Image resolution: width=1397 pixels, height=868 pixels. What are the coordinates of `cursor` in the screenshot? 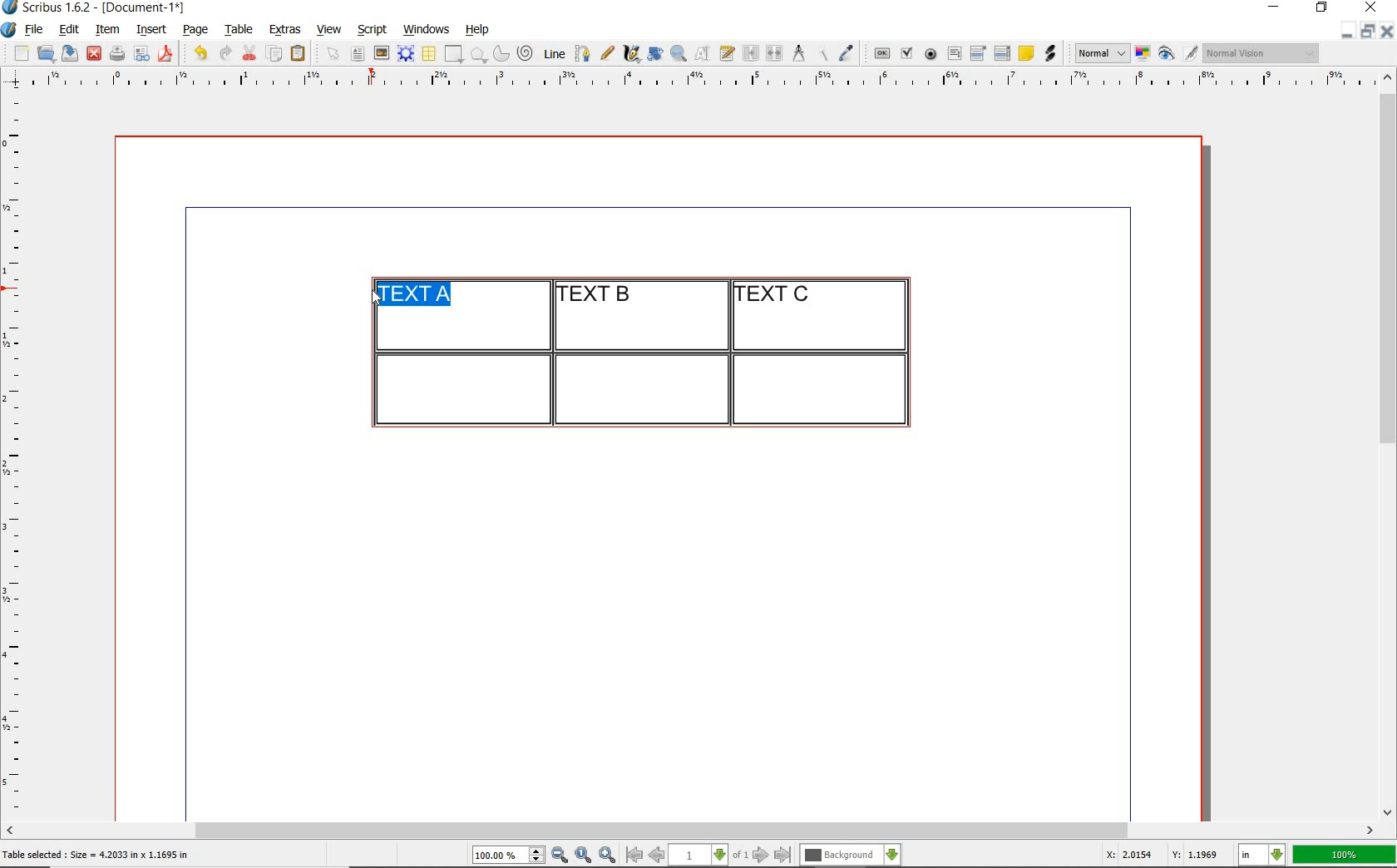 It's located at (374, 297).